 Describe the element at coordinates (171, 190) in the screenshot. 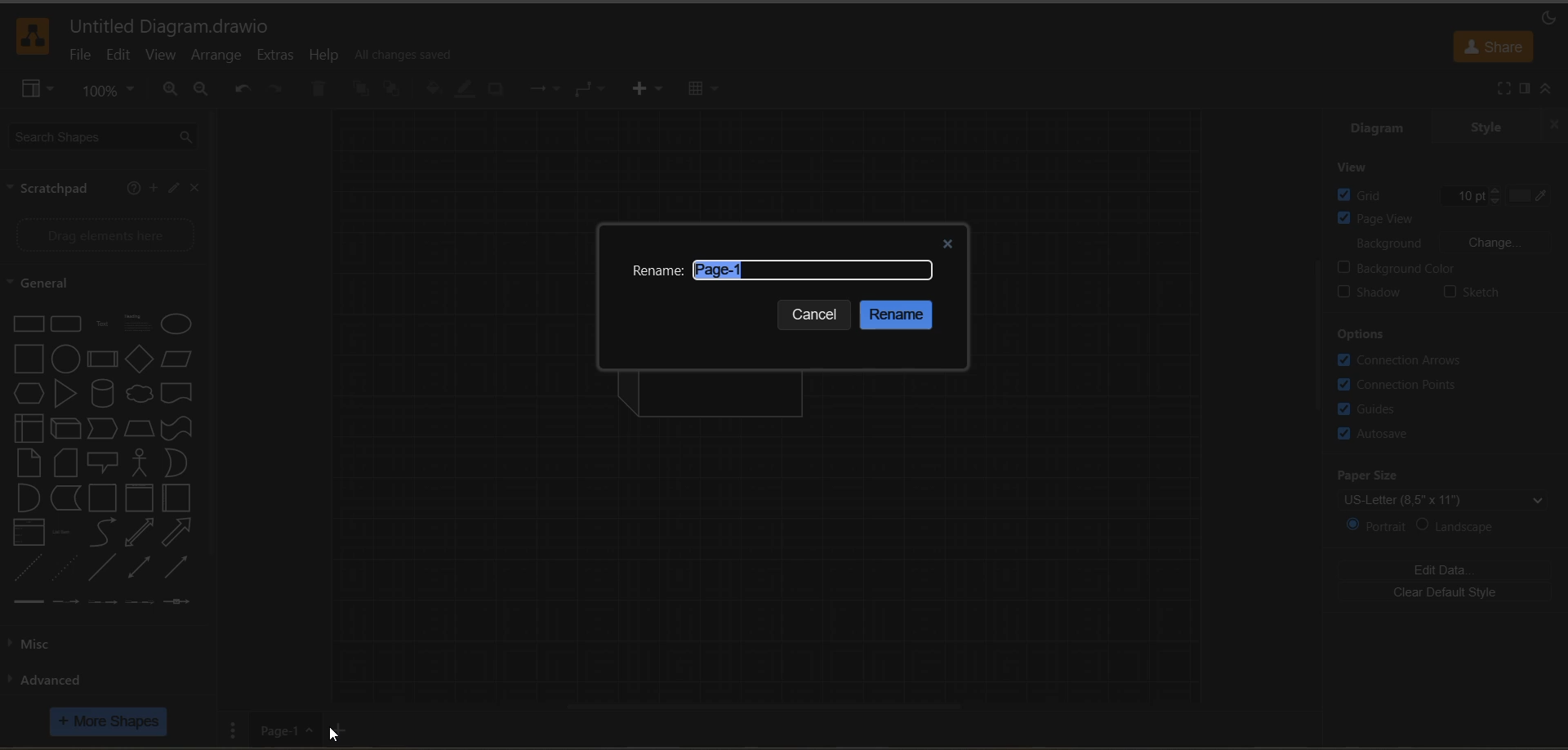

I see `edit` at that location.